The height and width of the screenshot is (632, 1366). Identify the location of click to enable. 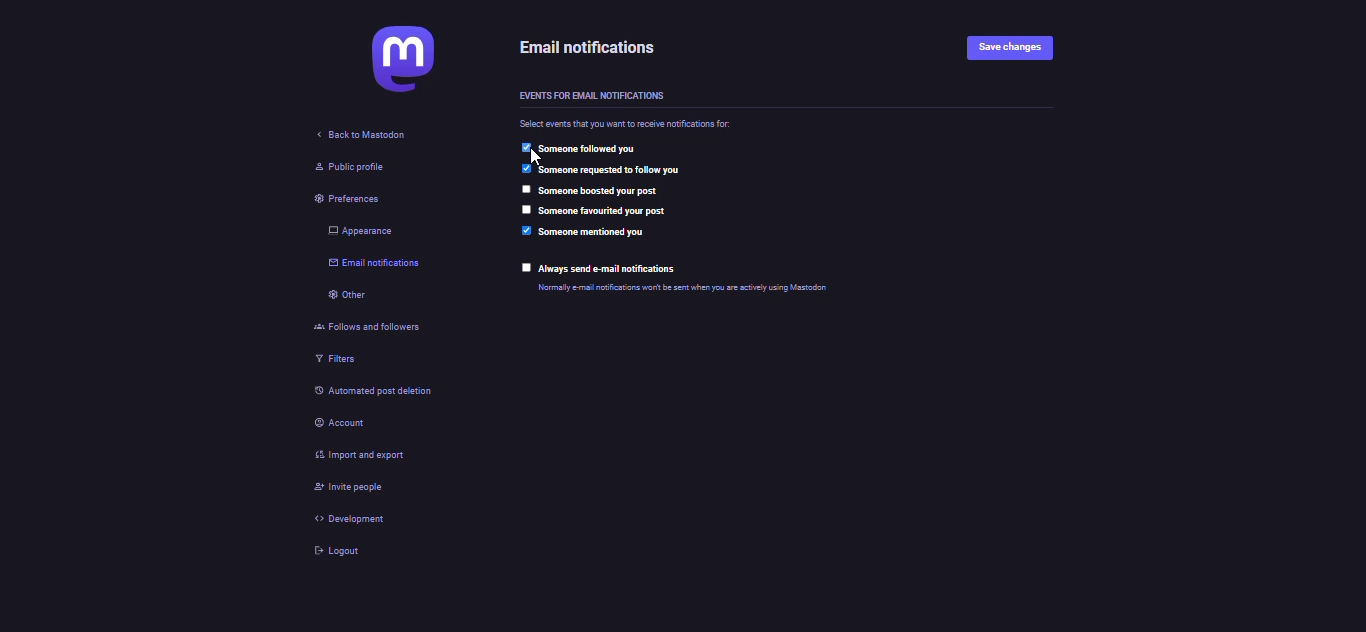
(525, 189).